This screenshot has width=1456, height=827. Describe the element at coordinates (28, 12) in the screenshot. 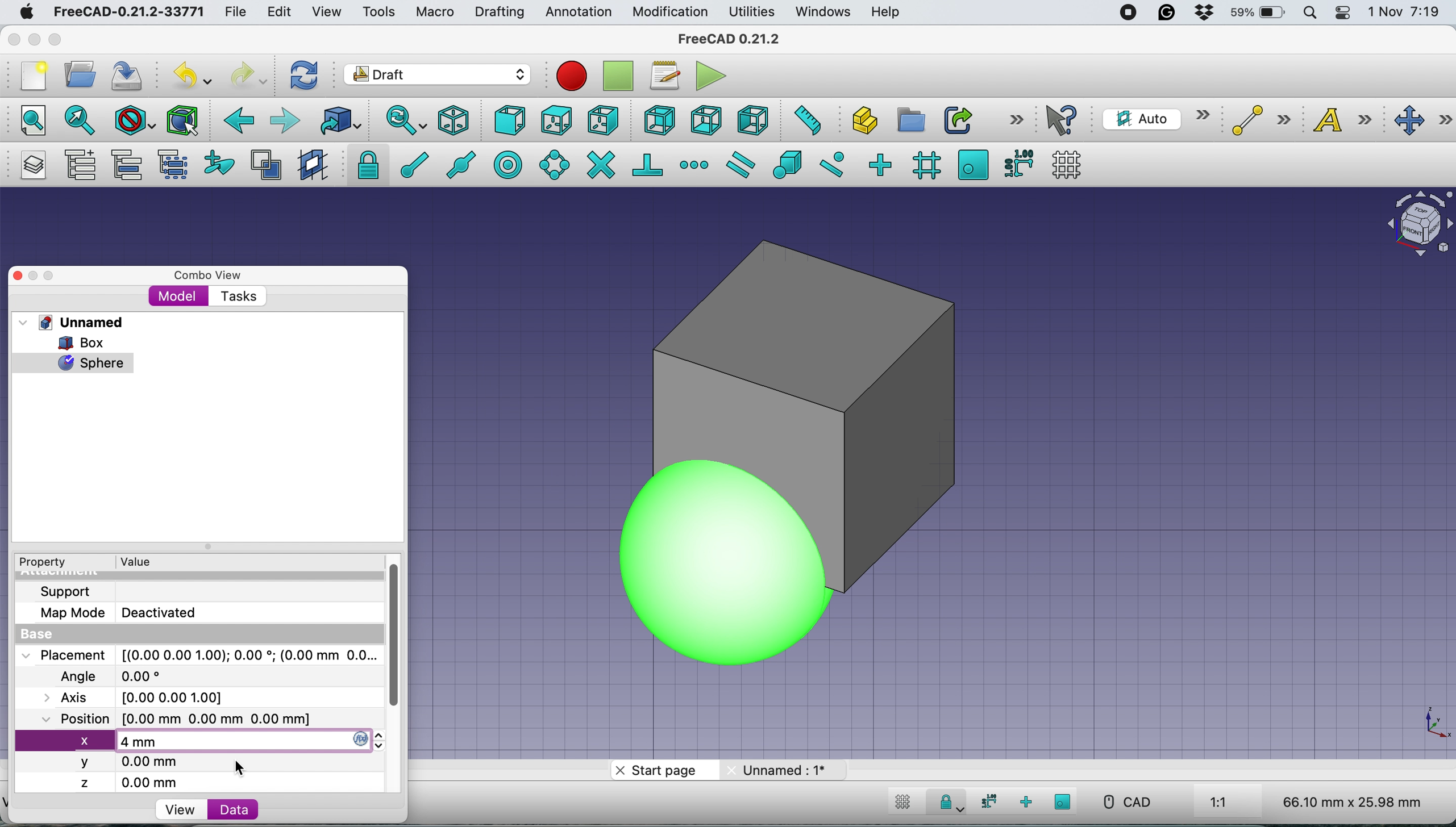

I see `system logo` at that location.